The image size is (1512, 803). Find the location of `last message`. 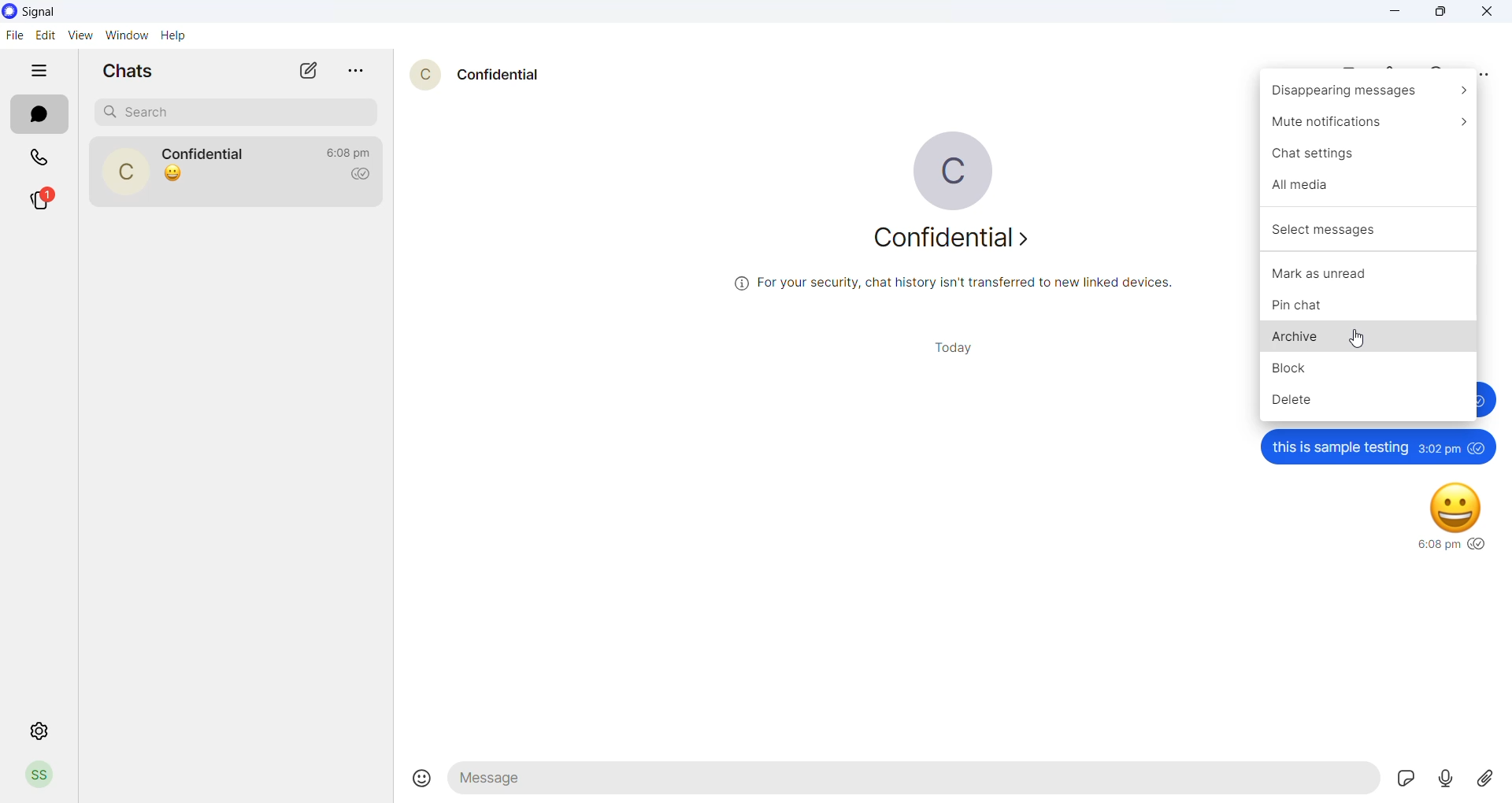

last message is located at coordinates (177, 176).